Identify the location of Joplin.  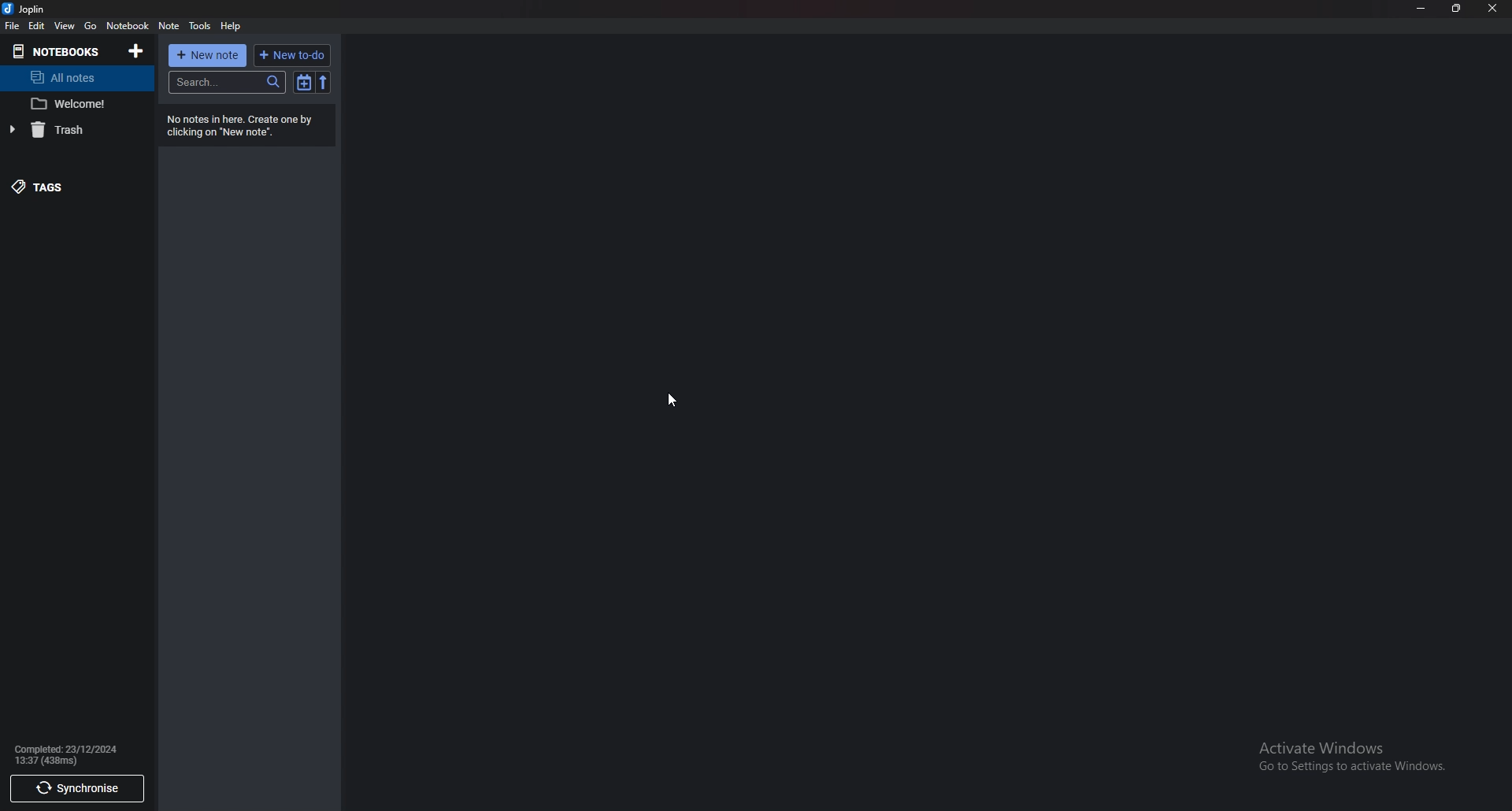
(25, 9).